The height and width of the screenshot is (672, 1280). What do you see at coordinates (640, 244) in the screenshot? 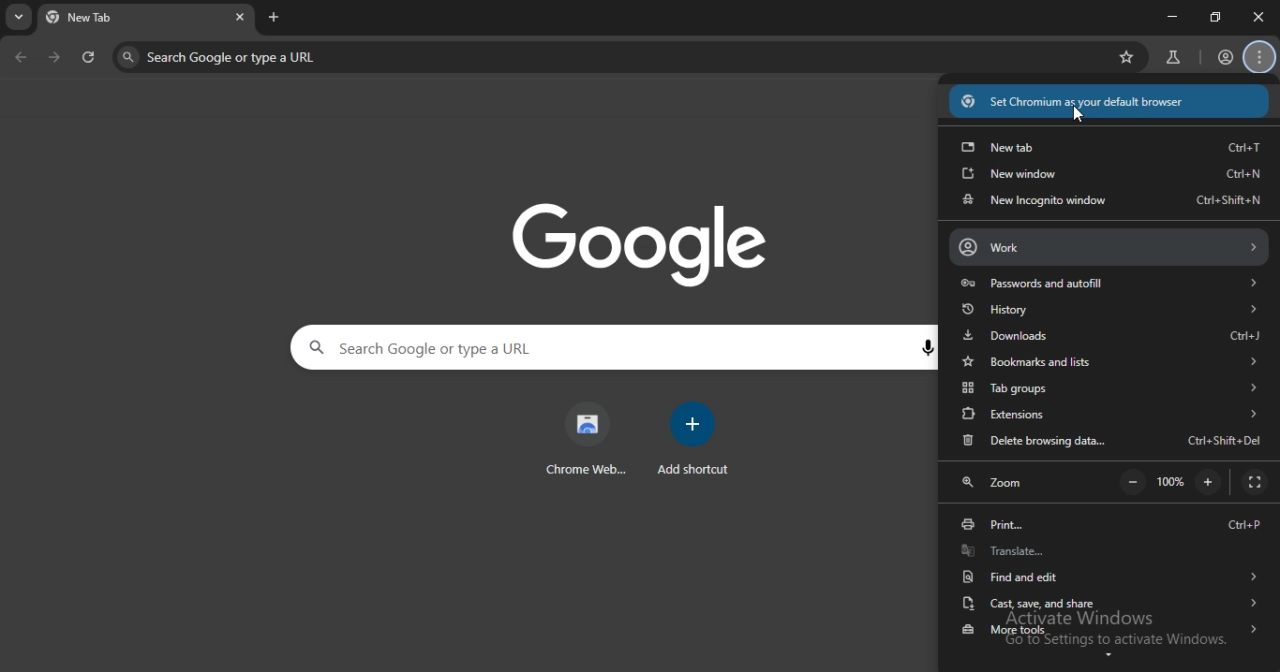
I see `image` at bounding box center [640, 244].